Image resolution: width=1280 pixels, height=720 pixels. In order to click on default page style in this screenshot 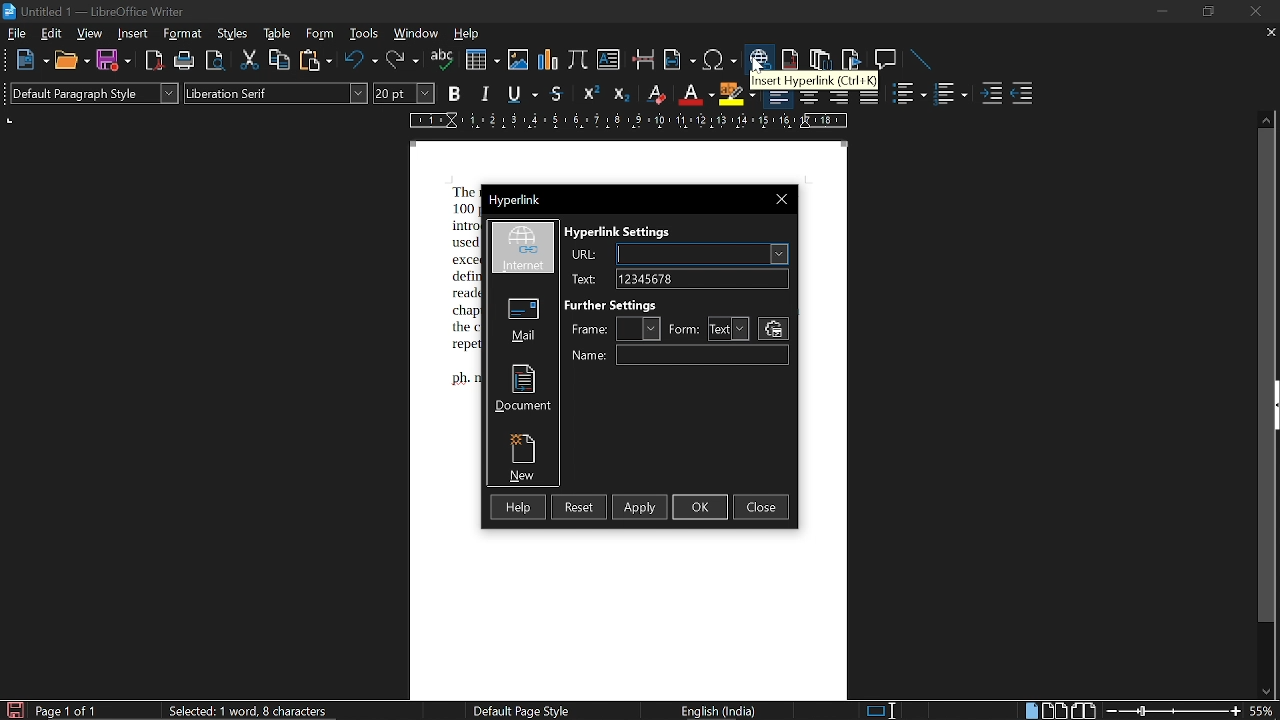, I will do `click(522, 711)`.